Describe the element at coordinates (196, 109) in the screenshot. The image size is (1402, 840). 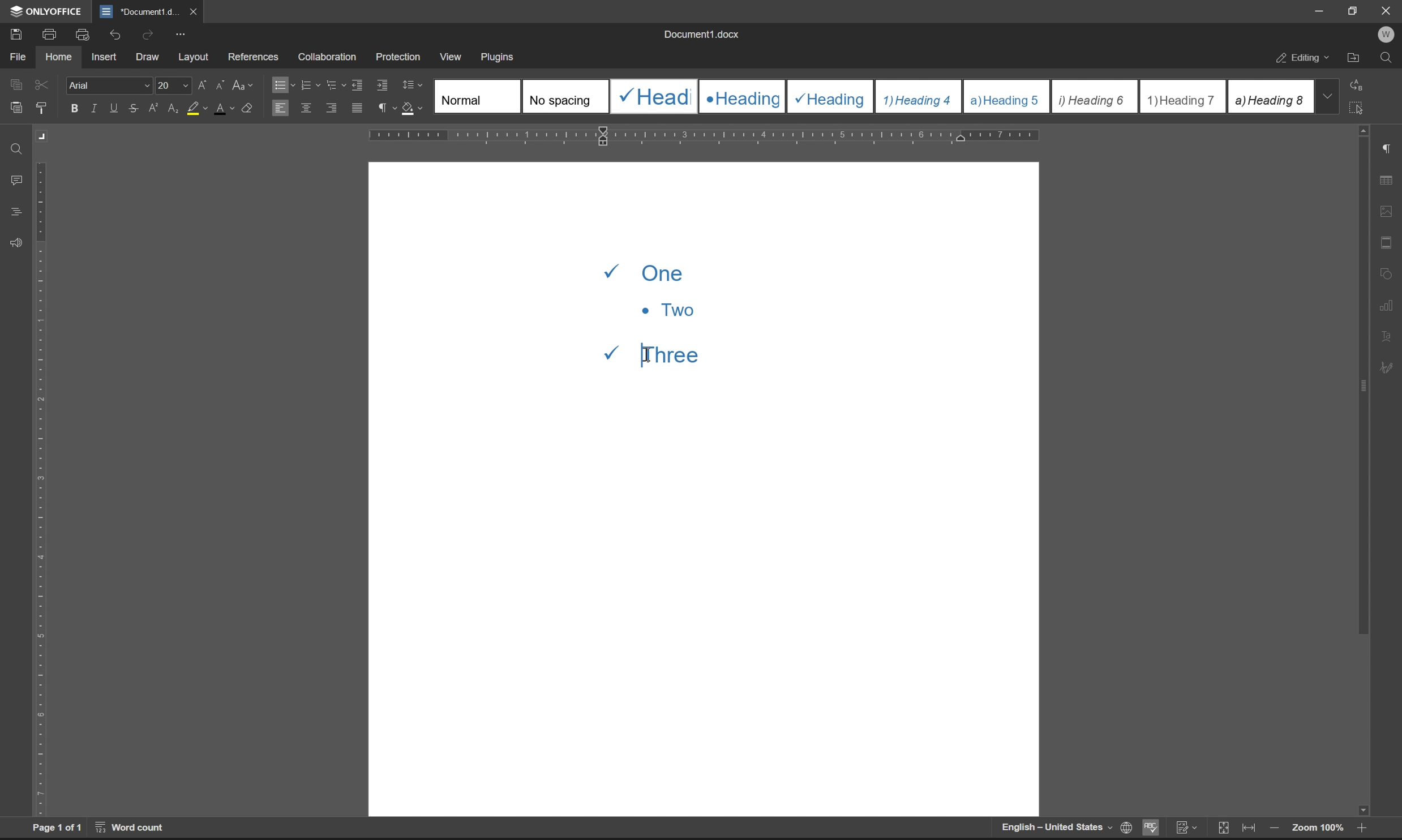
I see `background color` at that location.